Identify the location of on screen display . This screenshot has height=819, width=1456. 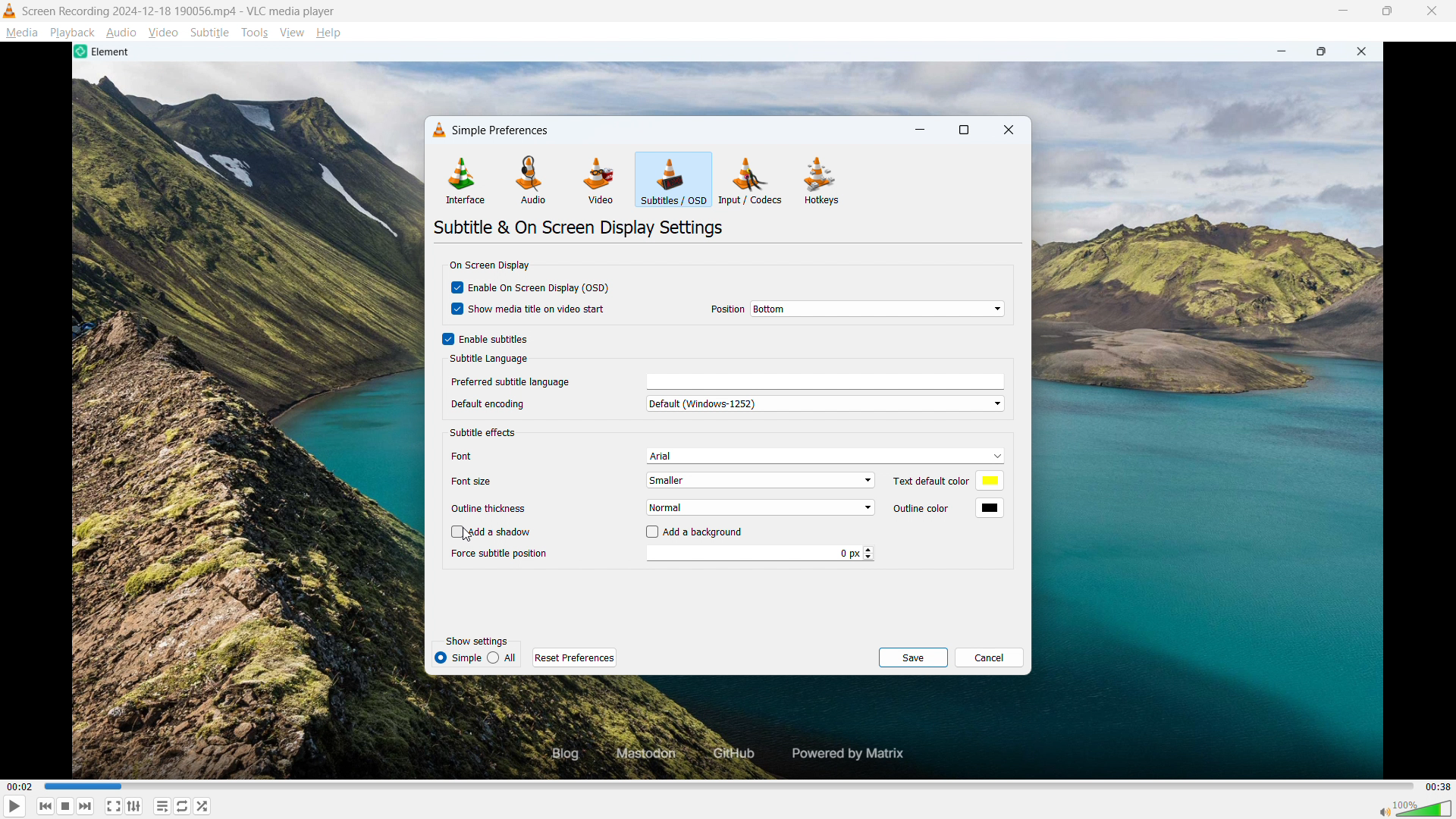
(488, 265).